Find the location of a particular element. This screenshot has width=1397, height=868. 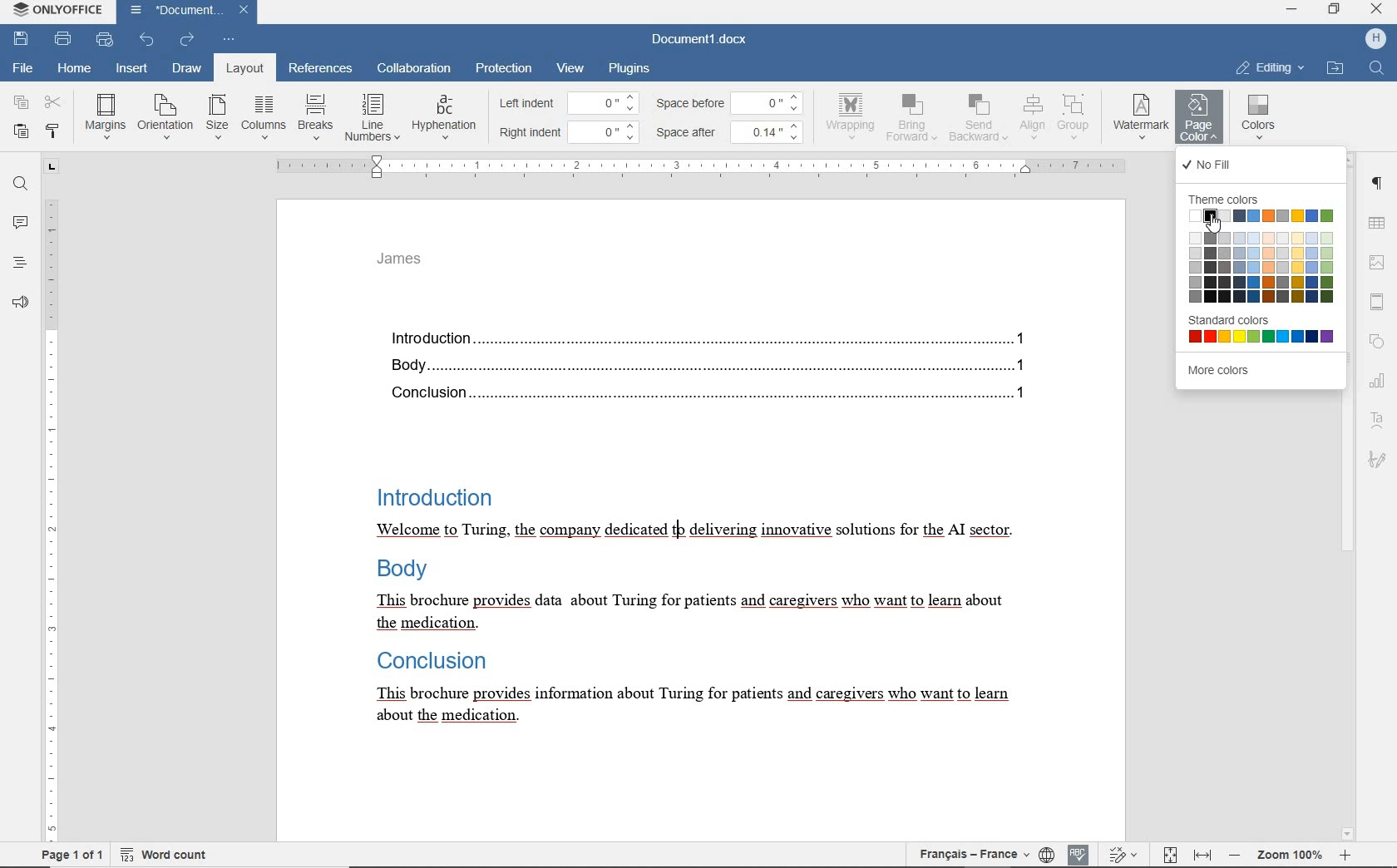

align is located at coordinates (1031, 116).